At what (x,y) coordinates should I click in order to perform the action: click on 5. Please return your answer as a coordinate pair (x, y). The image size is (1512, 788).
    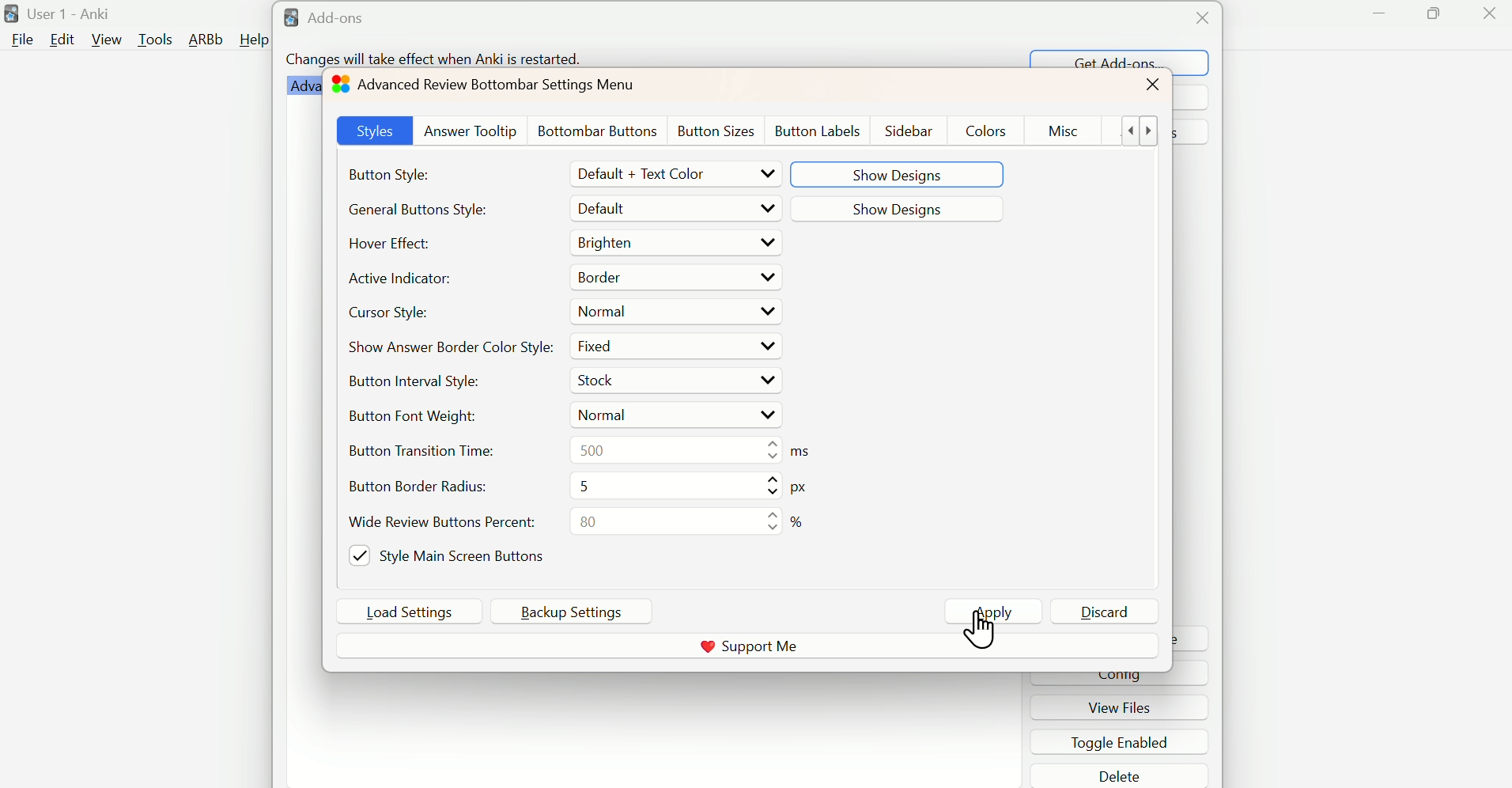
    Looking at the image, I should click on (607, 485).